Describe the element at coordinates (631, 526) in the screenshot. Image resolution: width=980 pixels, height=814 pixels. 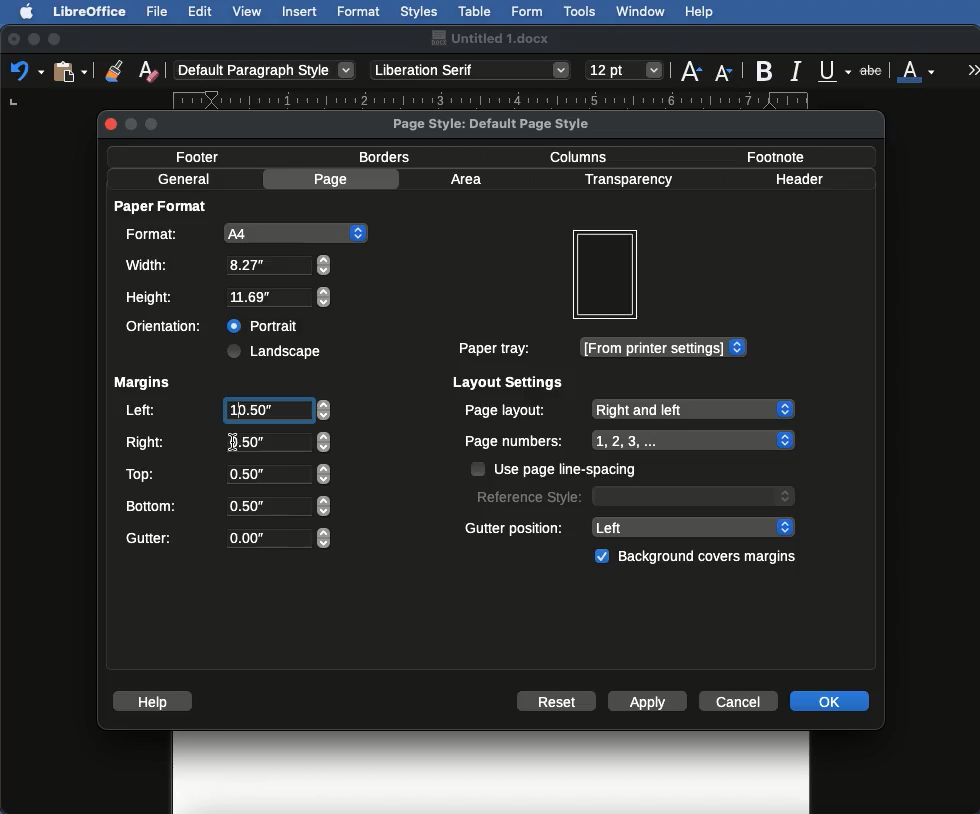
I see `Gutter position` at that location.